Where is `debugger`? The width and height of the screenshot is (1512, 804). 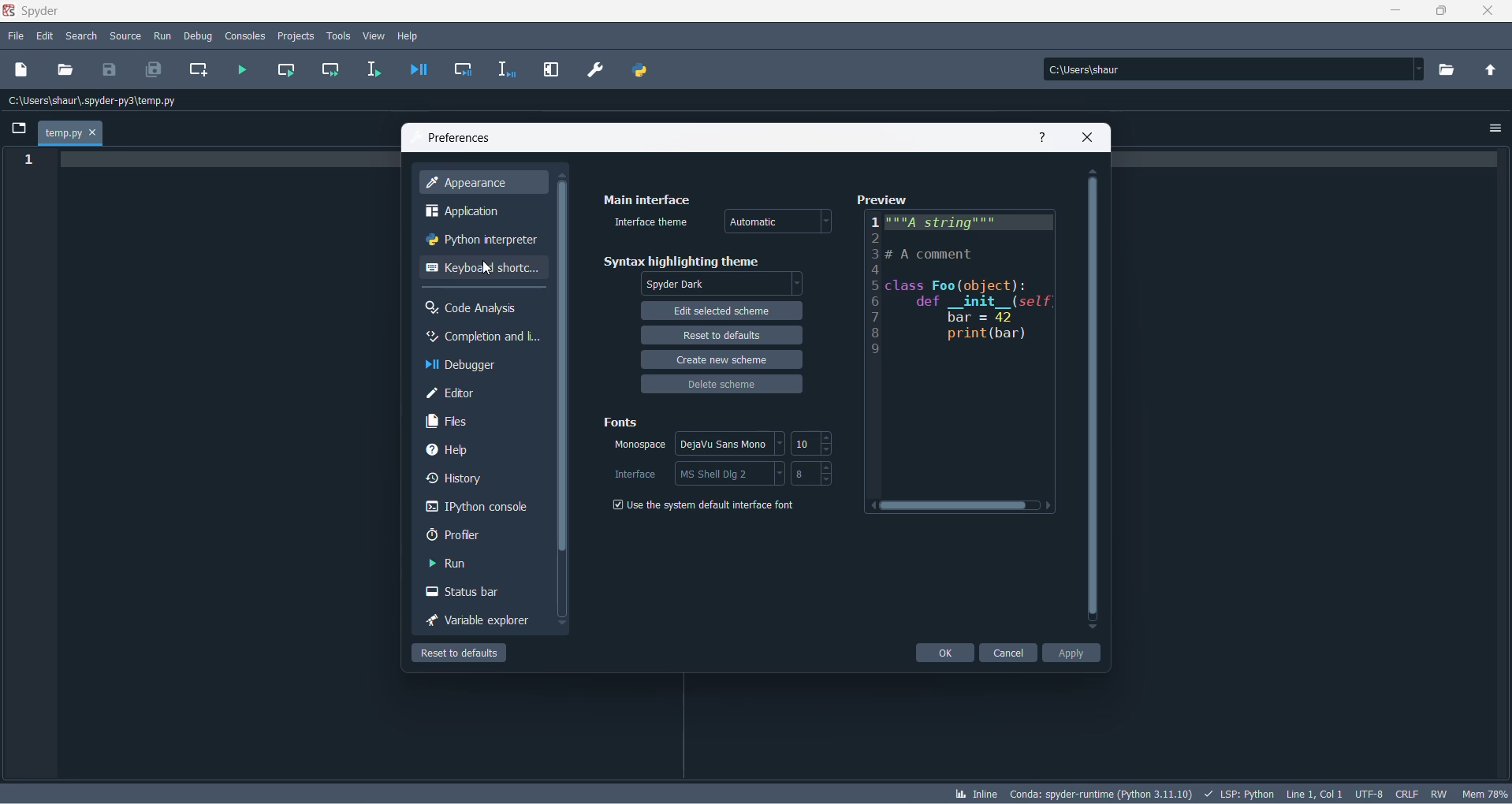
debugger is located at coordinates (483, 366).